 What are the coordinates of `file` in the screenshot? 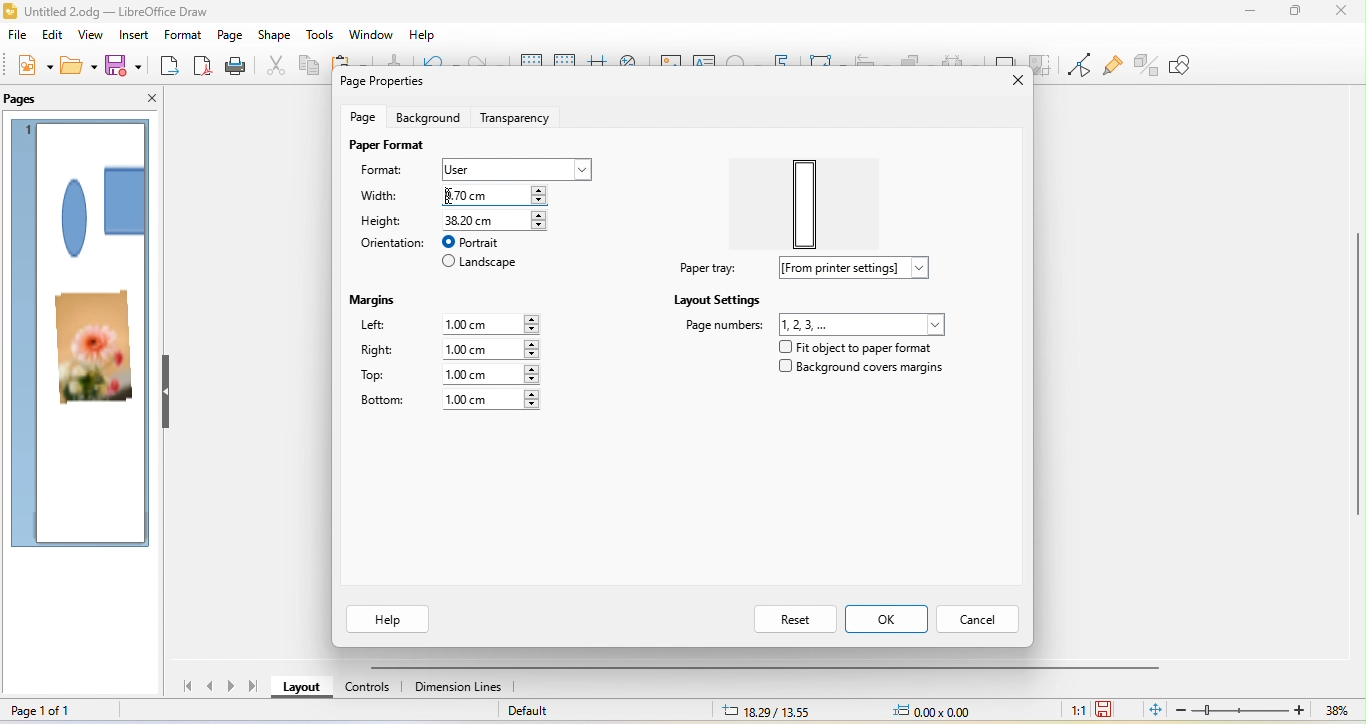 It's located at (18, 38).